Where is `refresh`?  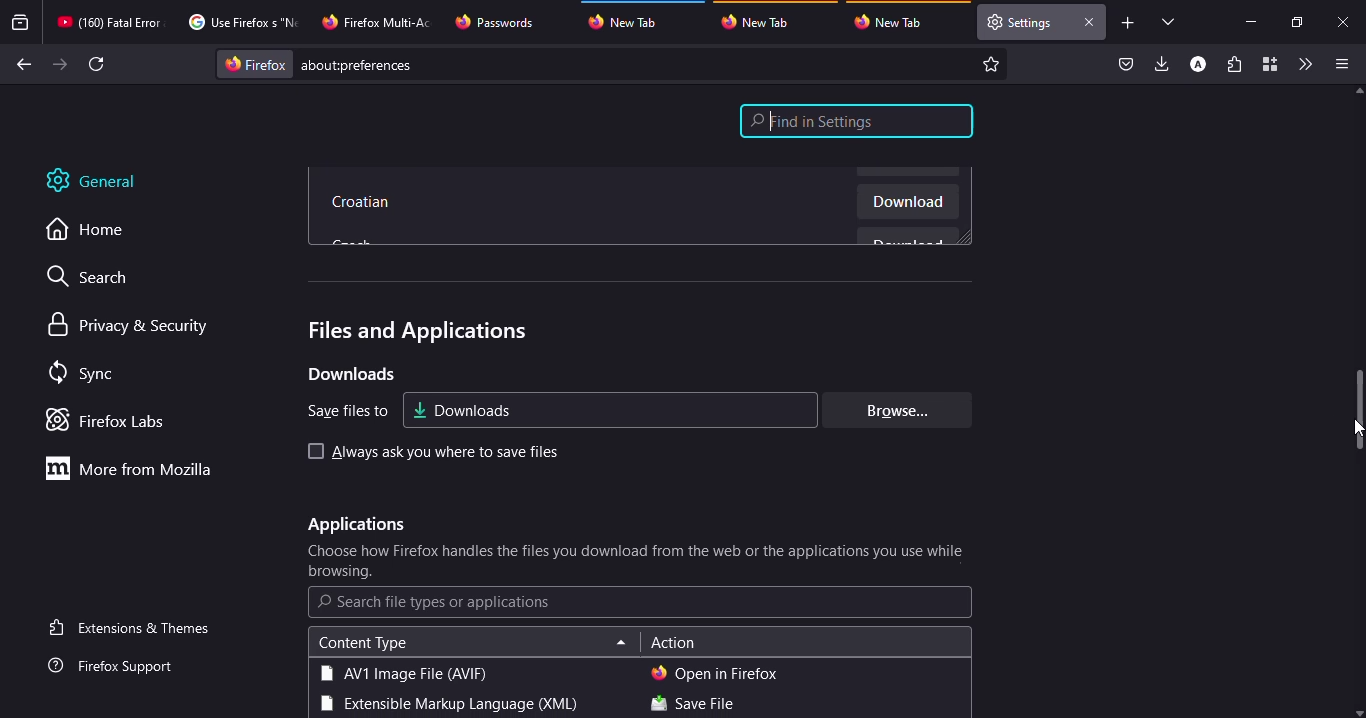 refresh is located at coordinates (98, 64).